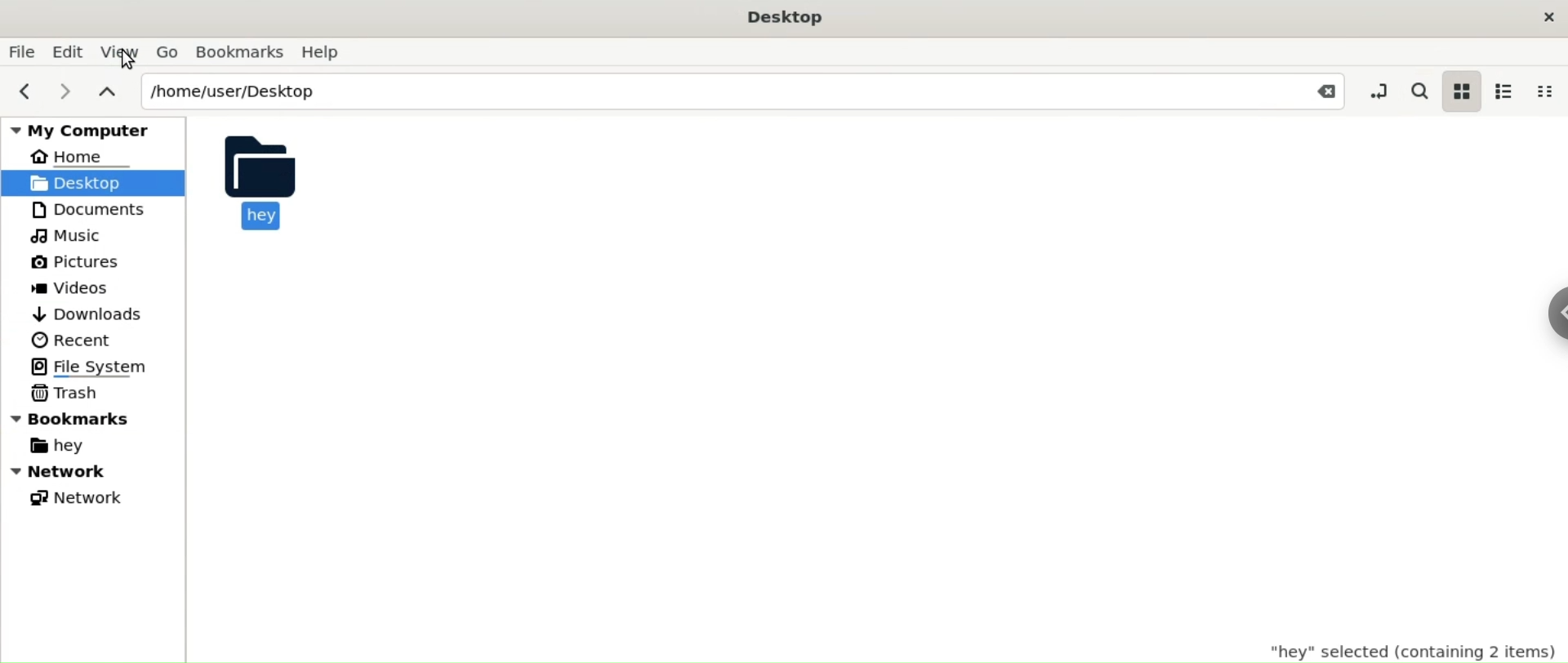 This screenshot has width=1568, height=663. Describe the element at coordinates (88, 209) in the screenshot. I see `Documents` at that location.